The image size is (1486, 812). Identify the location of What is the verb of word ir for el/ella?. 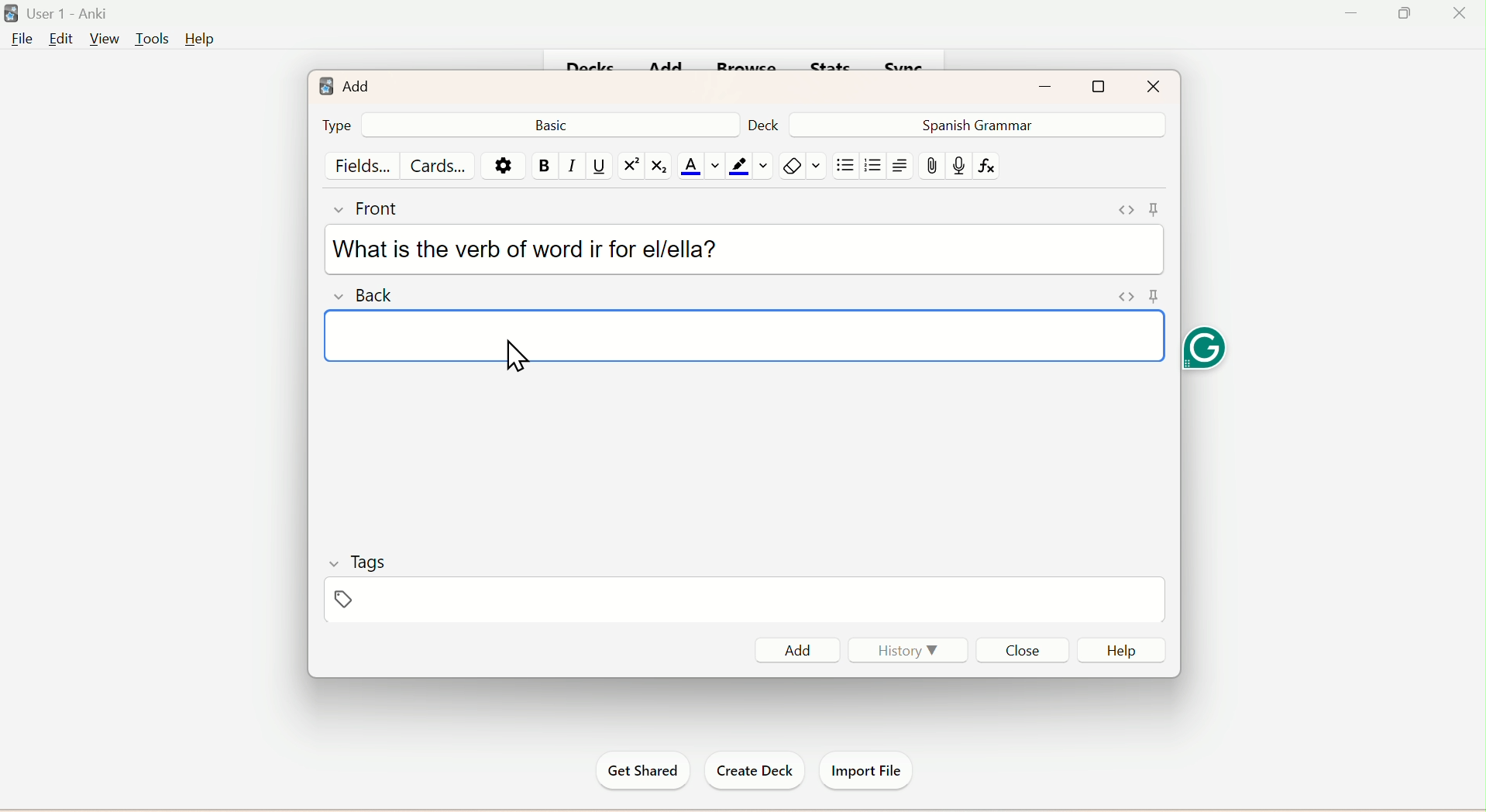
(530, 252).